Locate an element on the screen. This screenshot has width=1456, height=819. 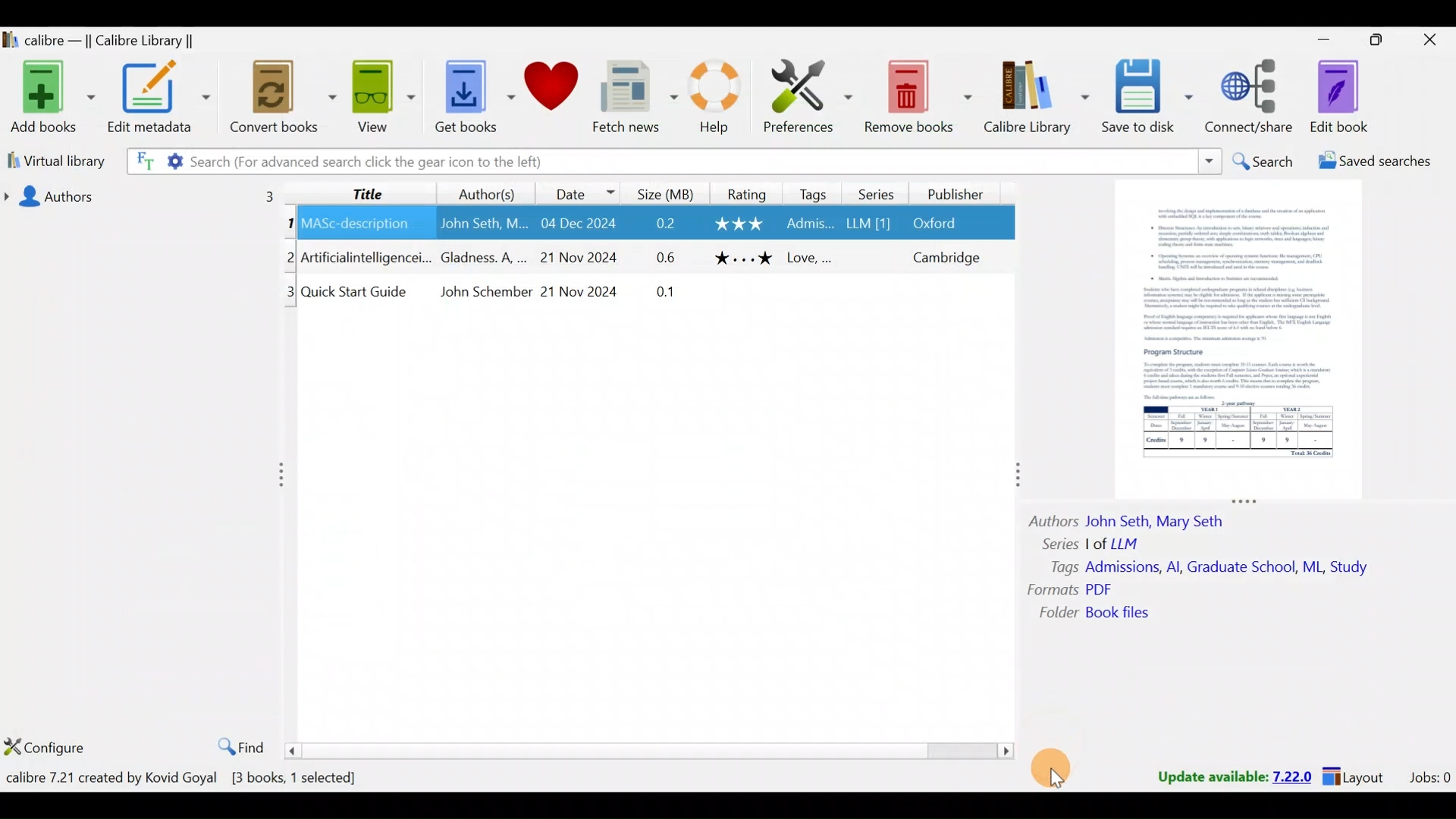
Jobs is located at coordinates (1428, 780).